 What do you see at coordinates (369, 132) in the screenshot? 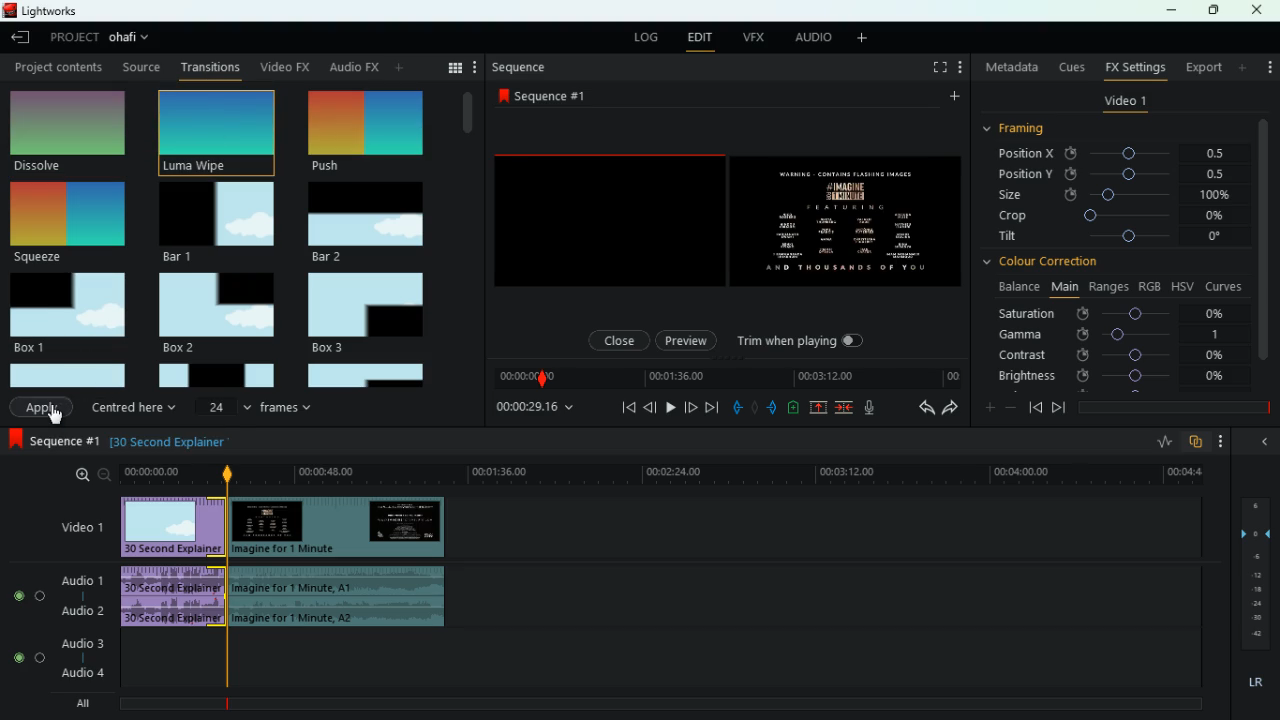
I see `selected` at bounding box center [369, 132].